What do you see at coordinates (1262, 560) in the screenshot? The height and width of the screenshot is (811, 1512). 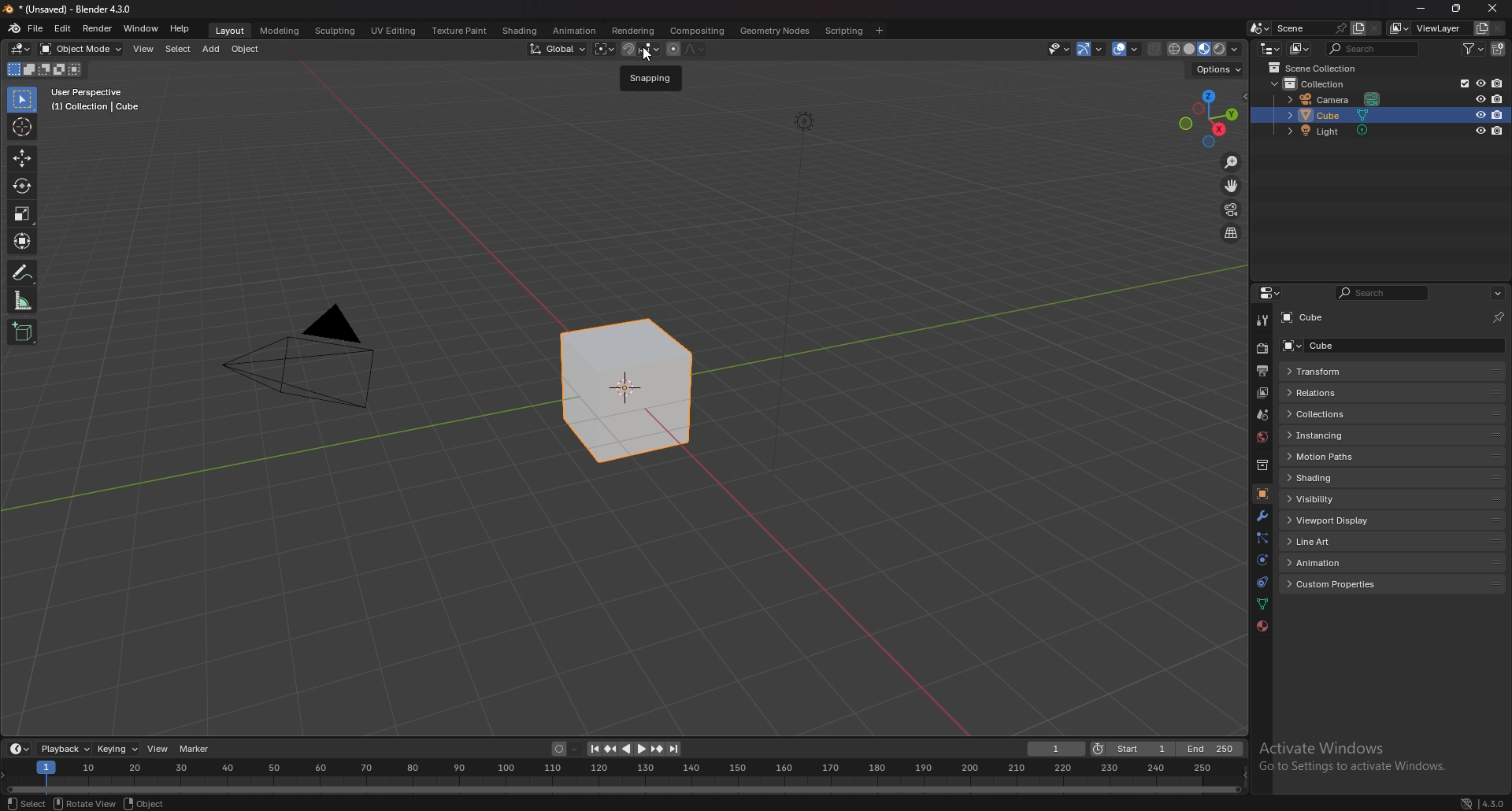 I see `physics` at bounding box center [1262, 560].